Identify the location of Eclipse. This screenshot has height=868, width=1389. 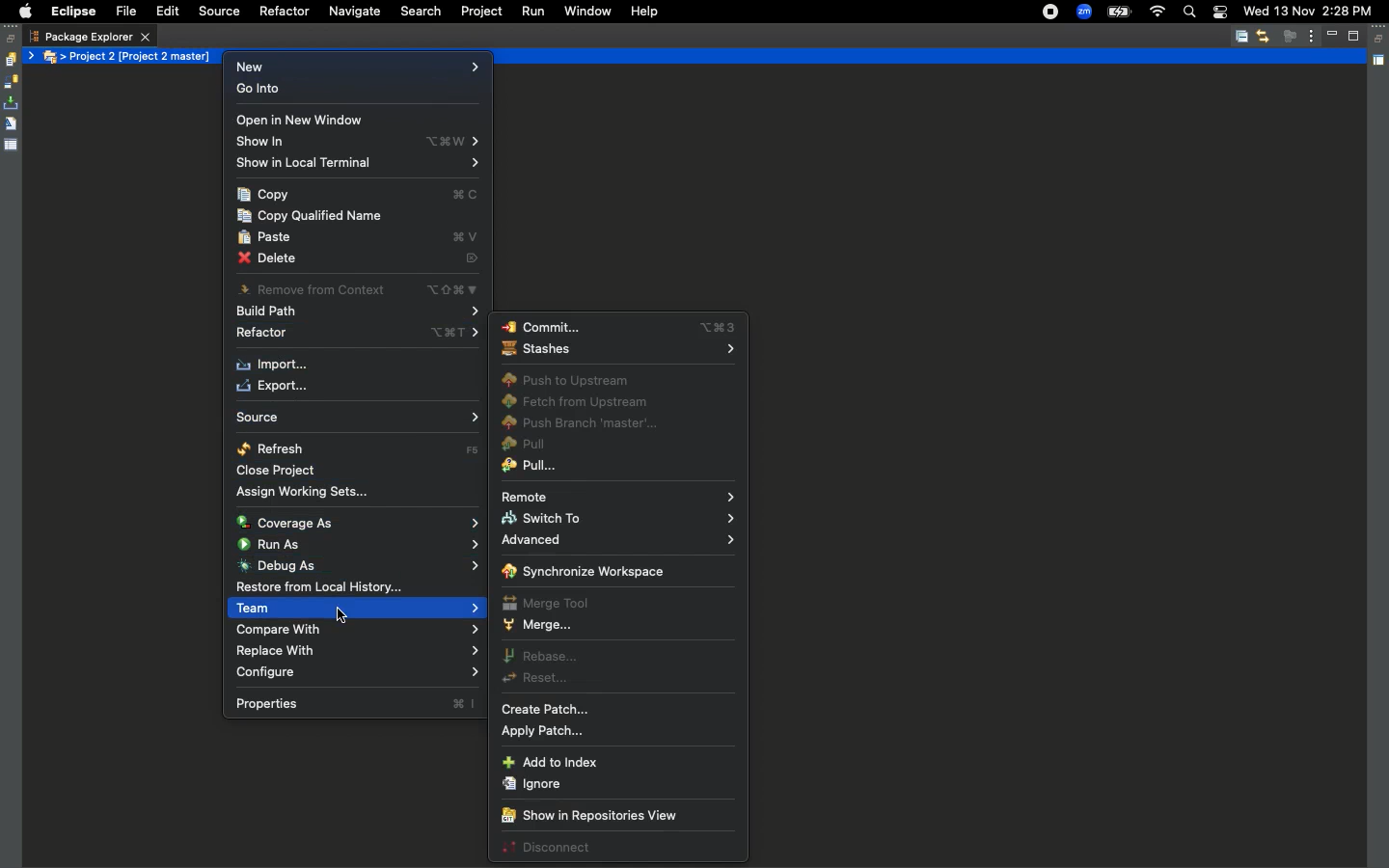
(72, 12).